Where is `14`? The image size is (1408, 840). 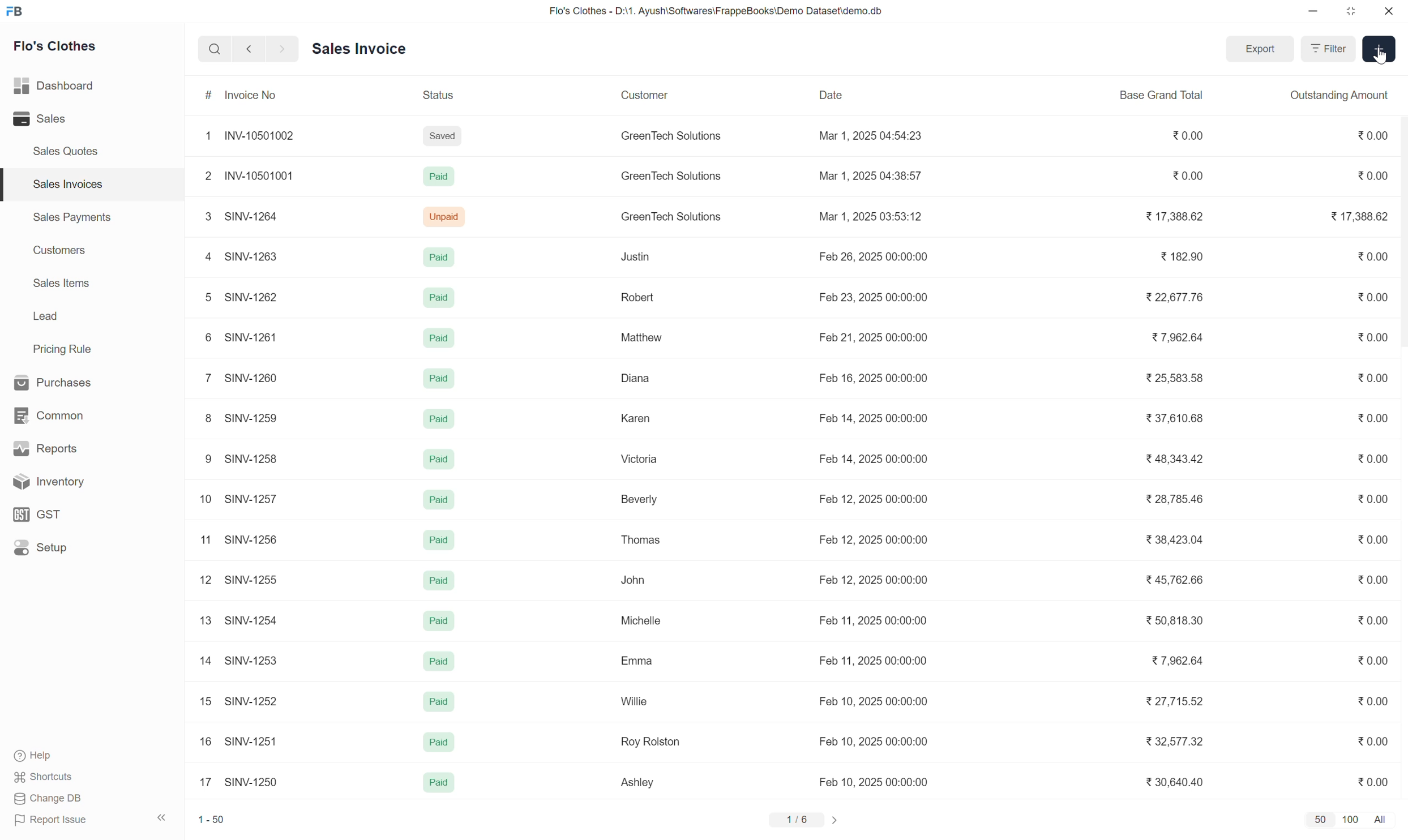 14 is located at coordinates (202, 662).